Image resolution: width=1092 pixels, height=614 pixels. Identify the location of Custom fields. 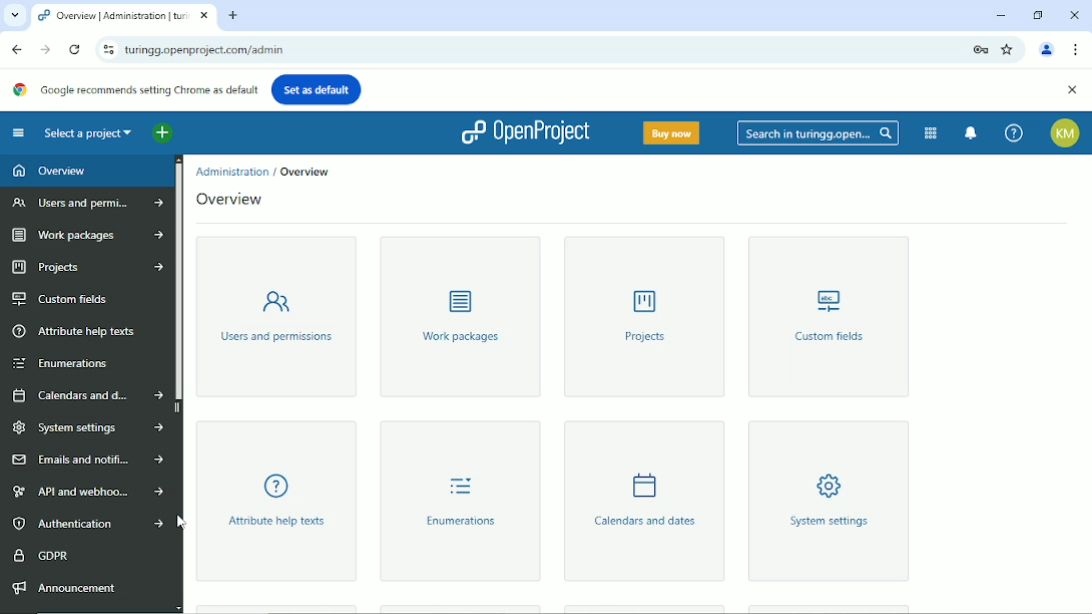
(62, 299).